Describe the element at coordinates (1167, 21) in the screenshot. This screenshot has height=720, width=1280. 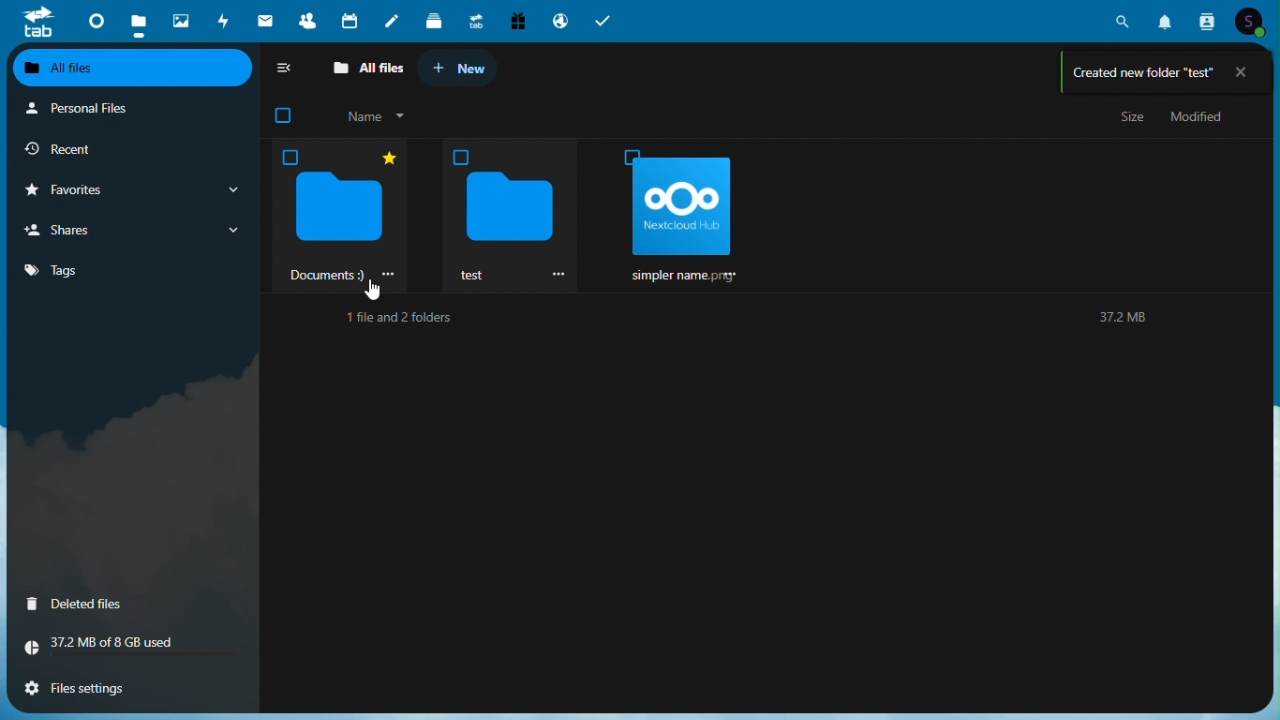
I see `Notifications` at that location.